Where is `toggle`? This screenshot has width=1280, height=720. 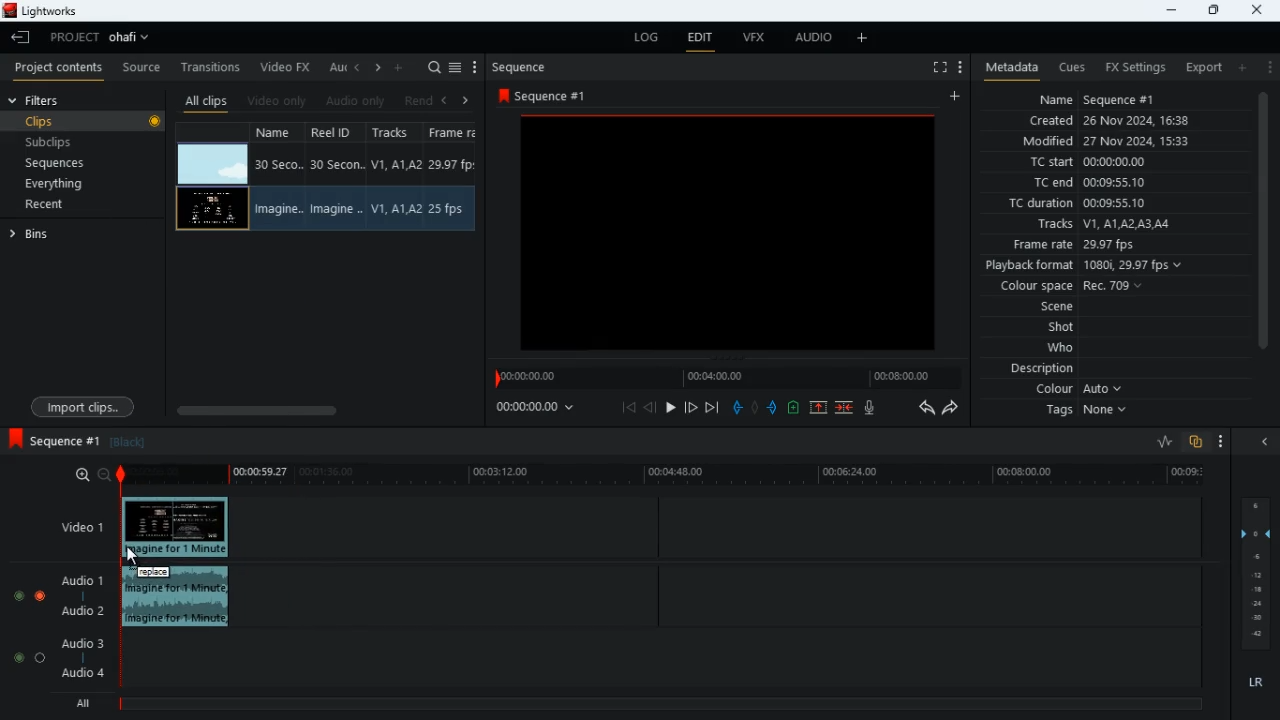 toggle is located at coordinates (18, 657).